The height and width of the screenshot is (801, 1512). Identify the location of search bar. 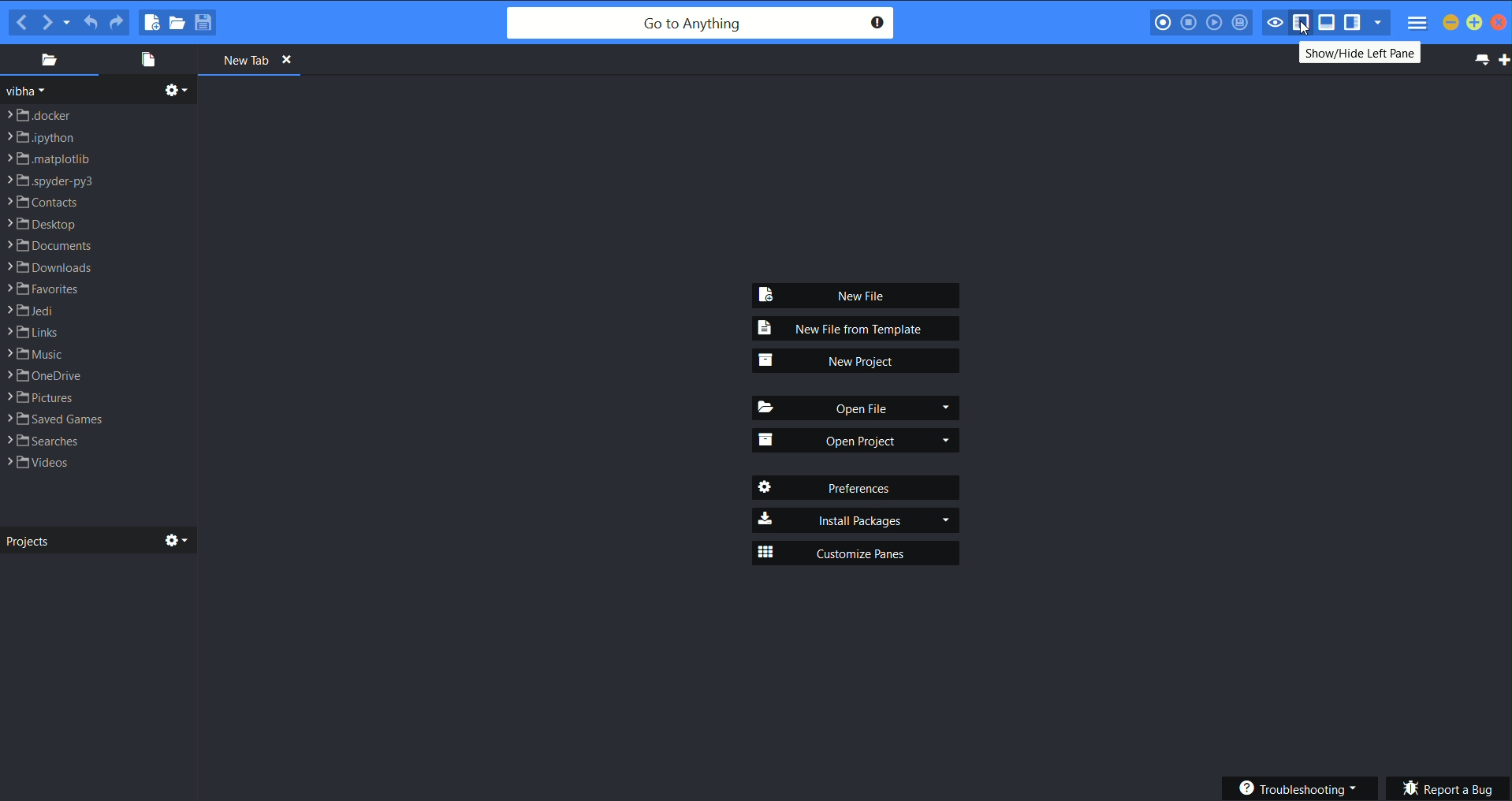
(701, 23).